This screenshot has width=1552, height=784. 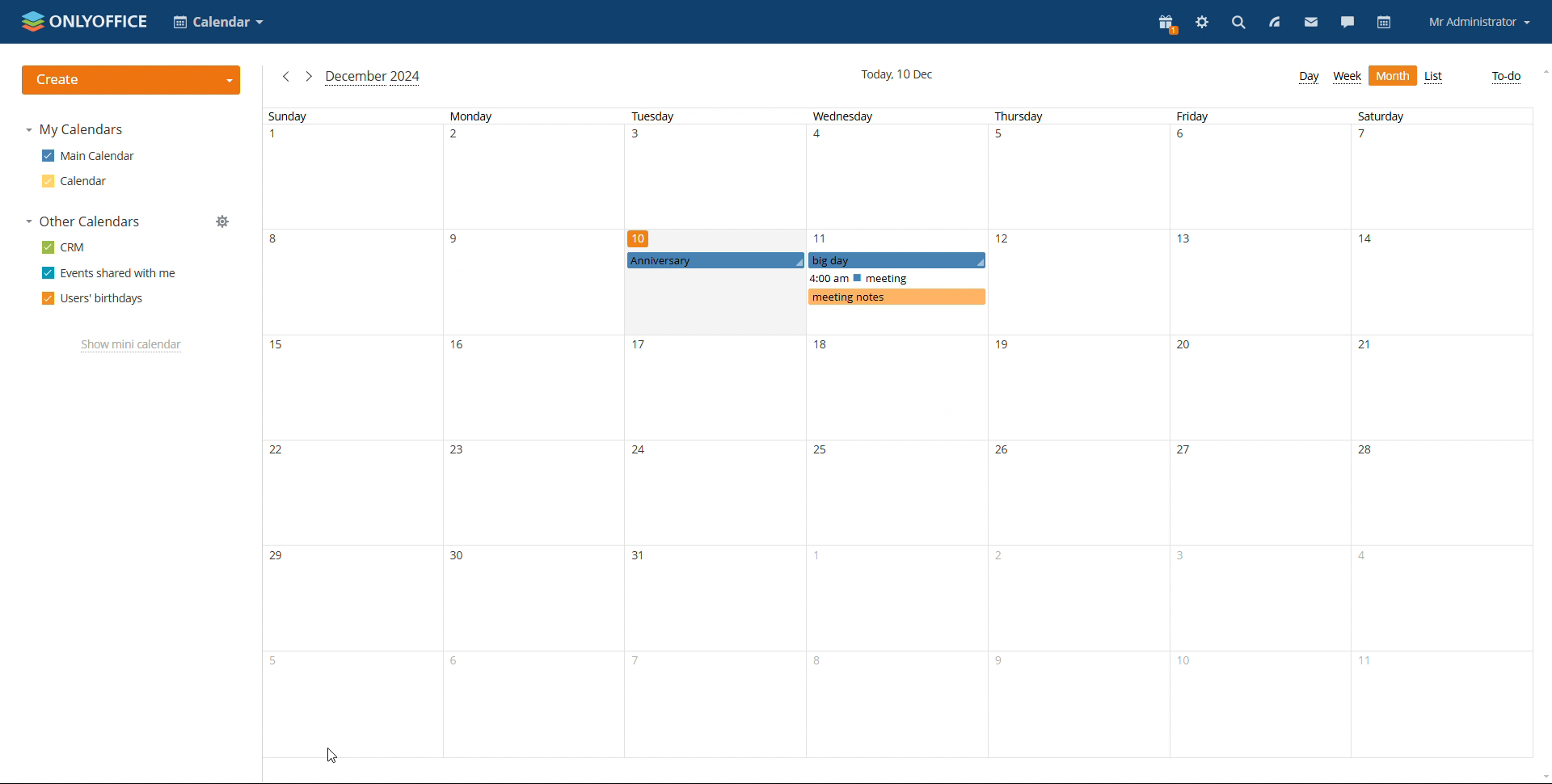 What do you see at coordinates (1394, 76) in the screenshot?
I see `month view` at bounding box center [1394, 76].